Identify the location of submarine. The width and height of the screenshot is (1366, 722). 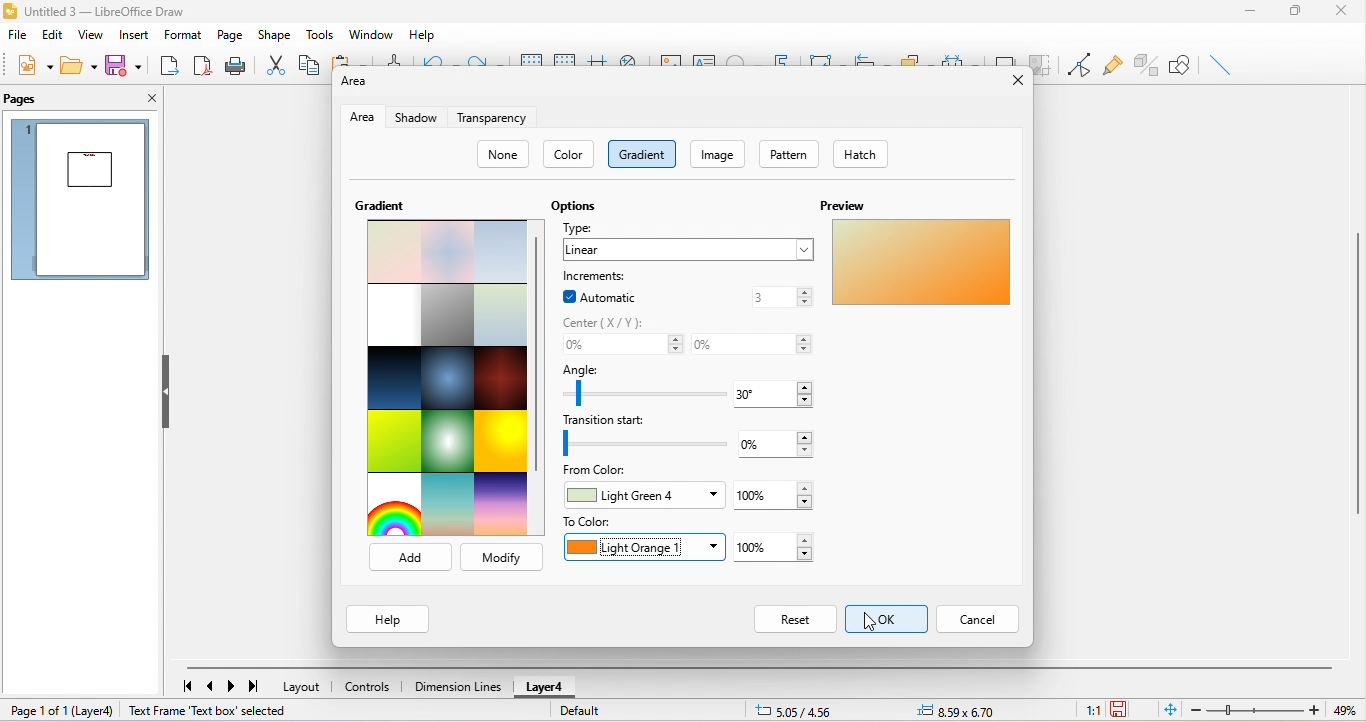
(501, 316).